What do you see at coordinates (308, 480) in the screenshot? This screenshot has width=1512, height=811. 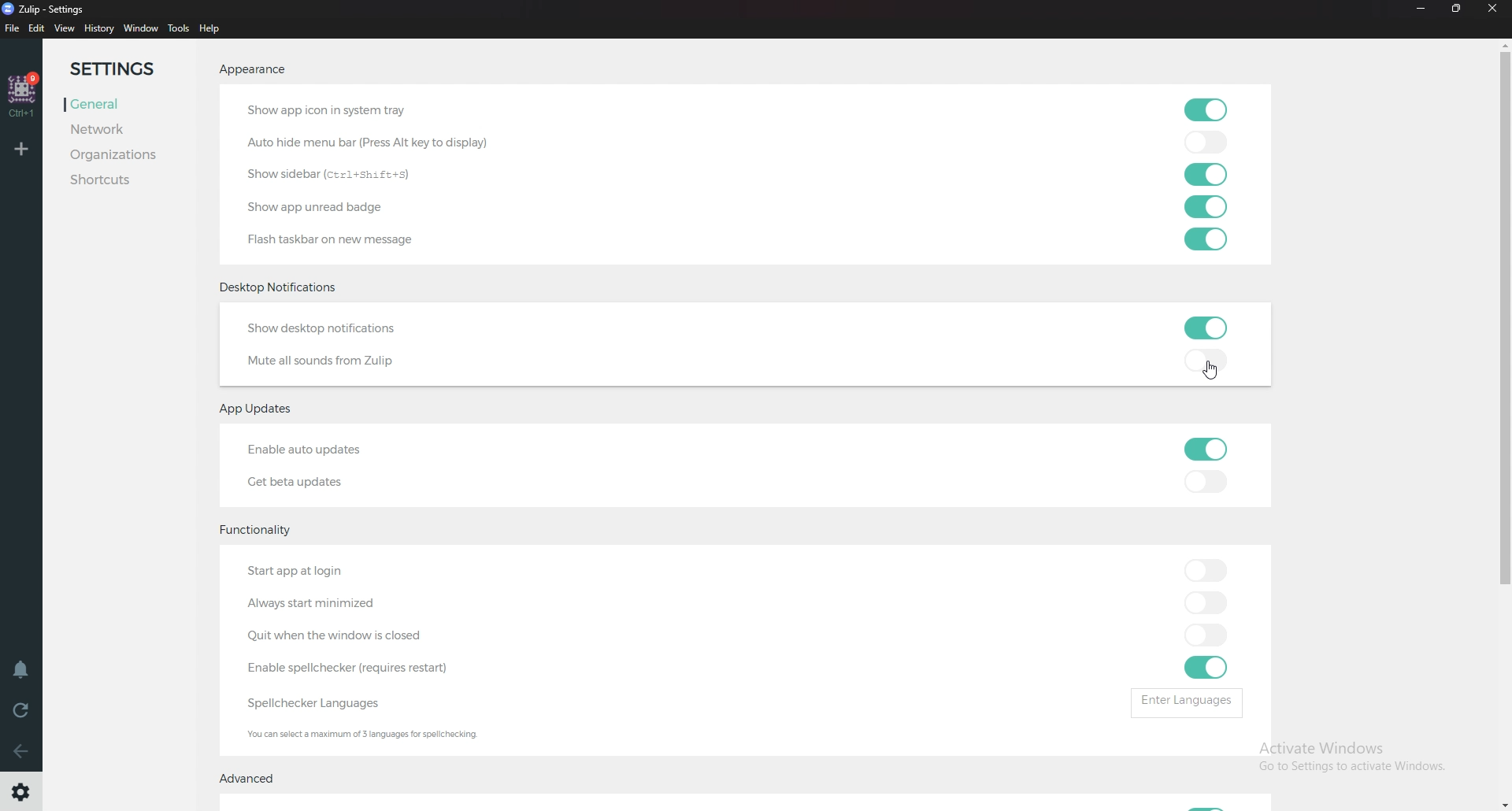 I see `Get beta updates` at bounding box center [308, 480].